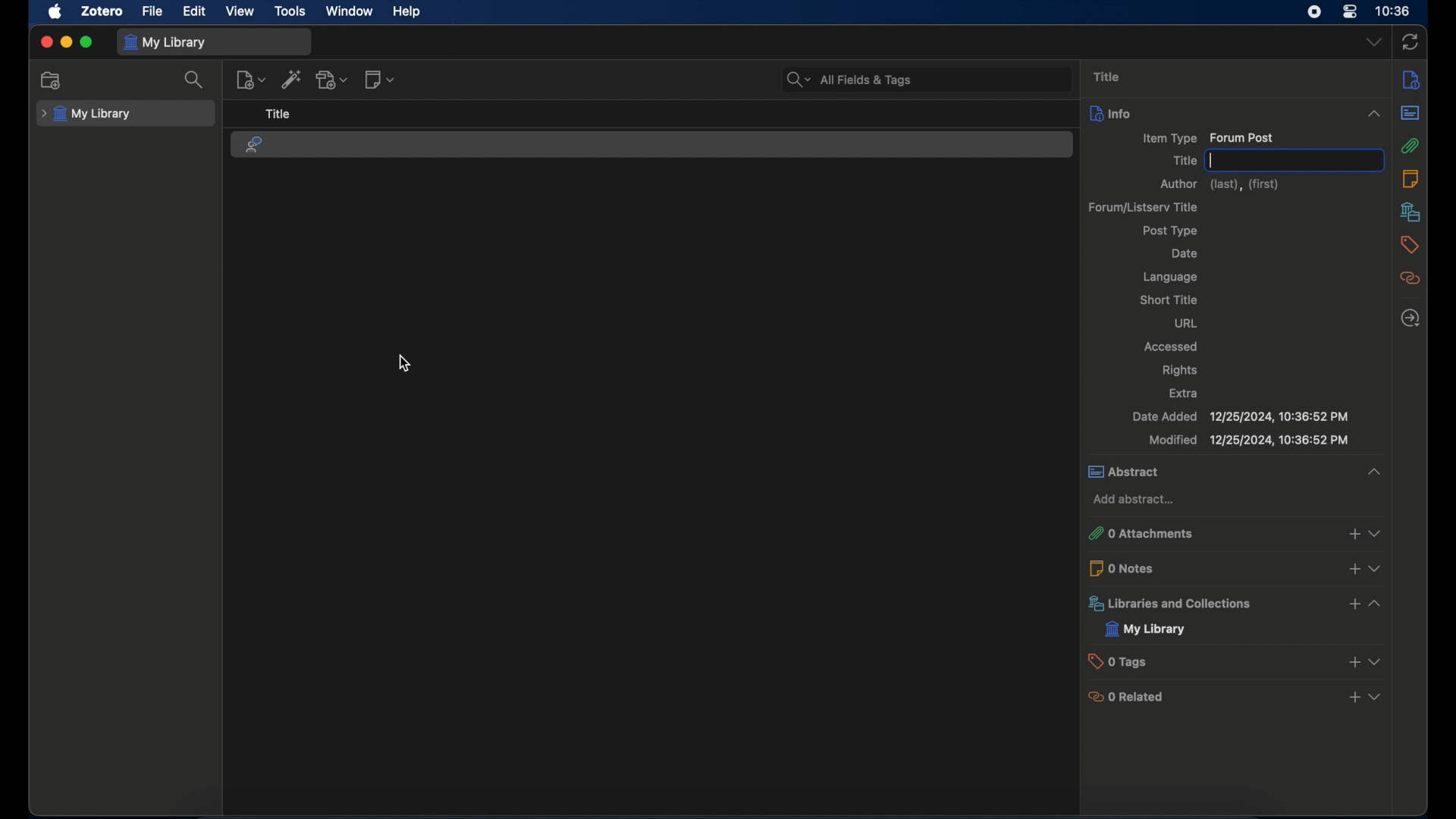 This screenshot has width=1456, height=819. Describe the element at coordinates (1411, 318) in the screenshot. I see `locate` at that location.